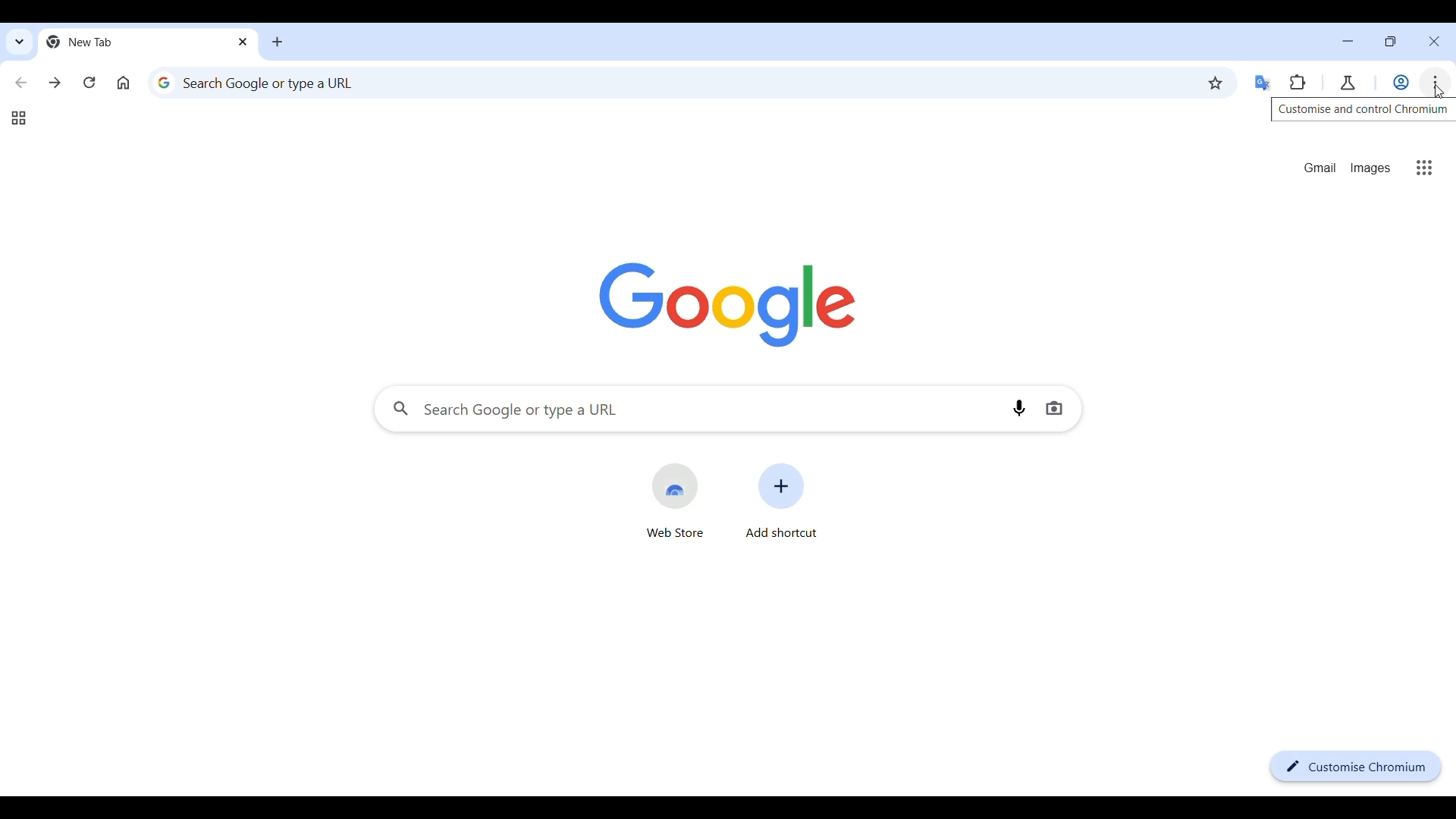 The image size is (1456, 819). What do you see at coordinates (1441, 96) in the screenshot?
I see `Cursor clicking on settings` at bounding box center [1441, 96].